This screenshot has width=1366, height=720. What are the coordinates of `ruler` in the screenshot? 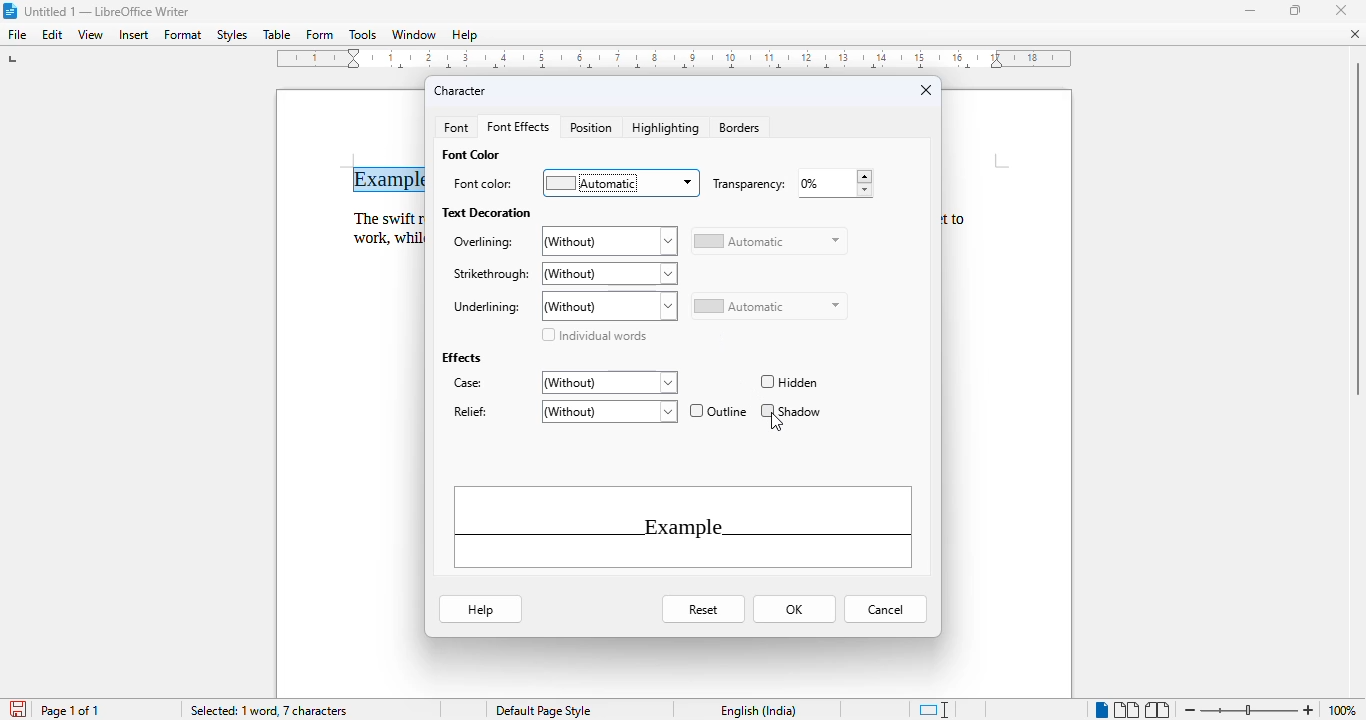 It's located at (679, 62).